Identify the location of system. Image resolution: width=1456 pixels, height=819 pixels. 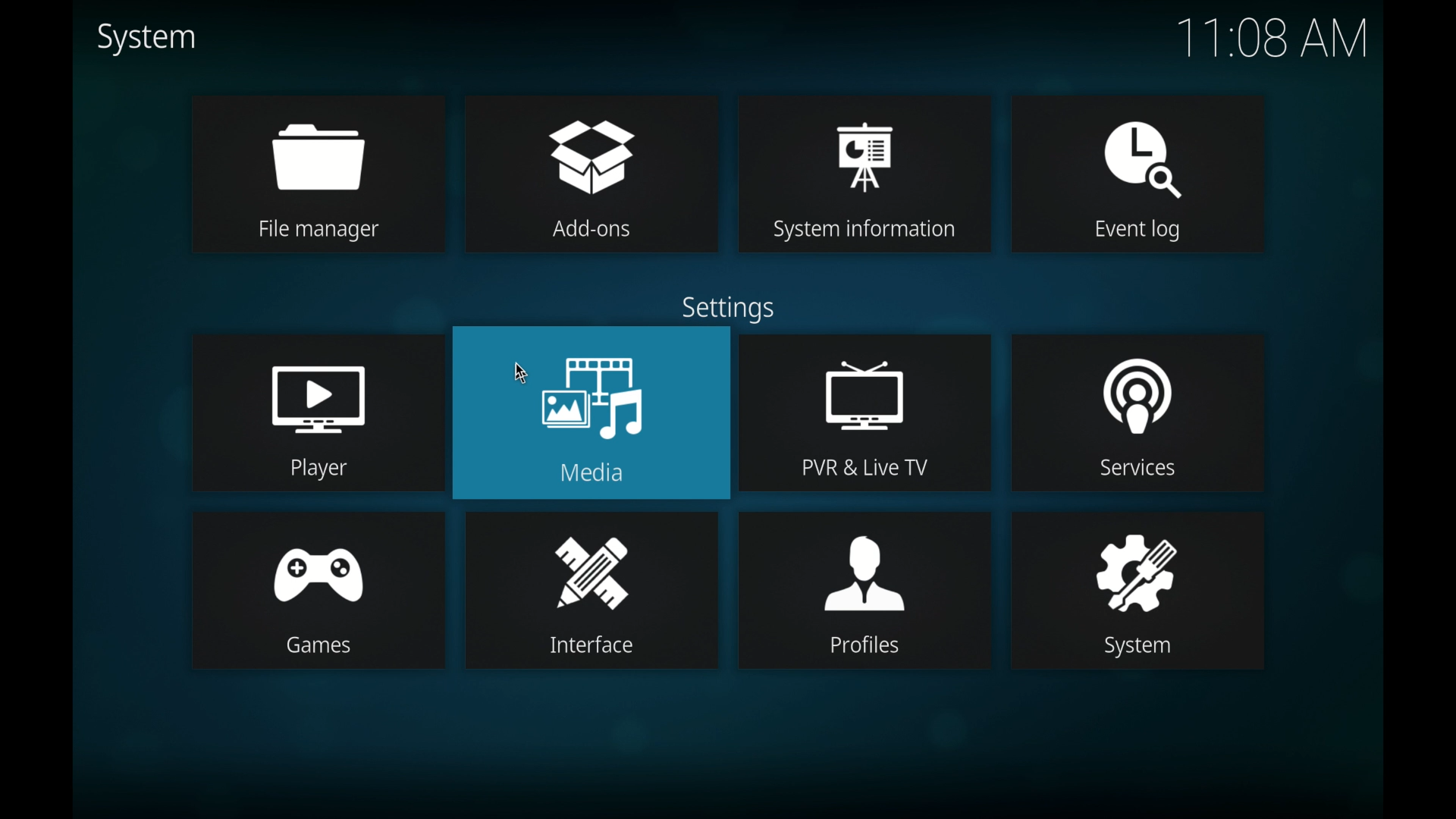
(1141, 591).